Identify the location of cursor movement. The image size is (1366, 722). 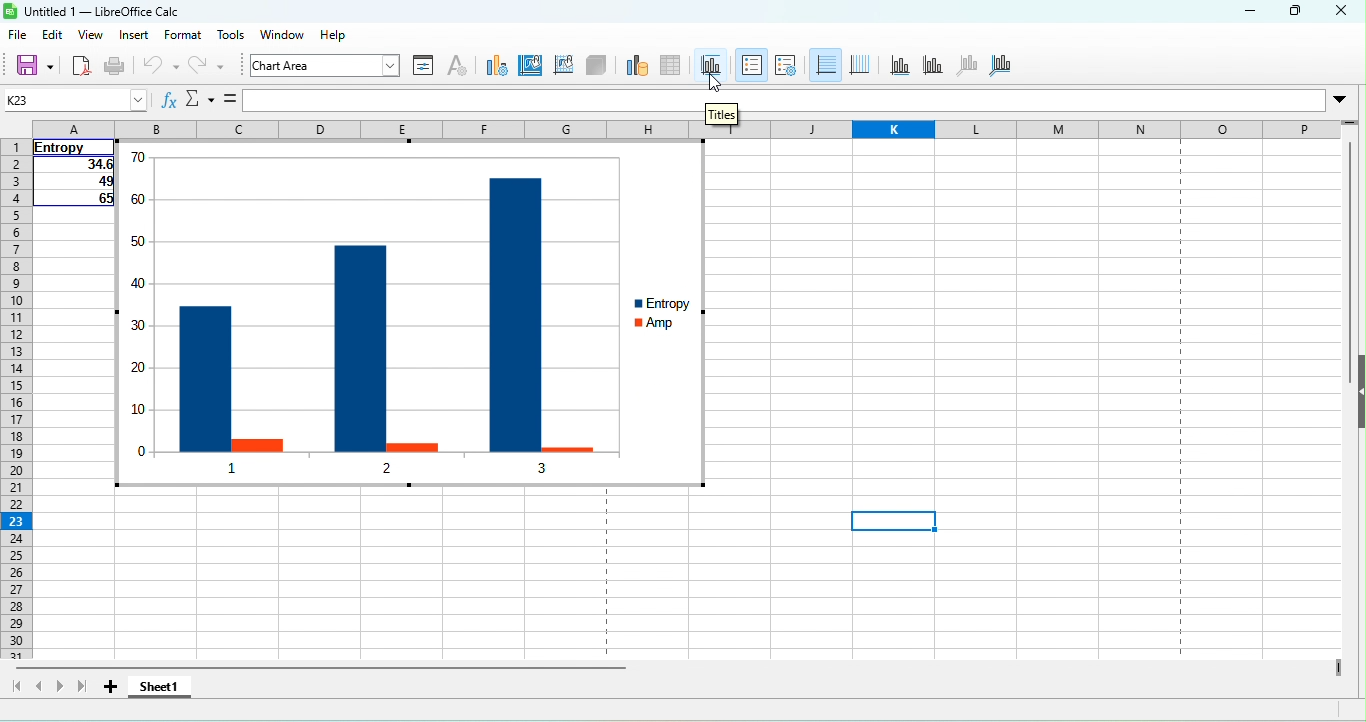
(711, 78).